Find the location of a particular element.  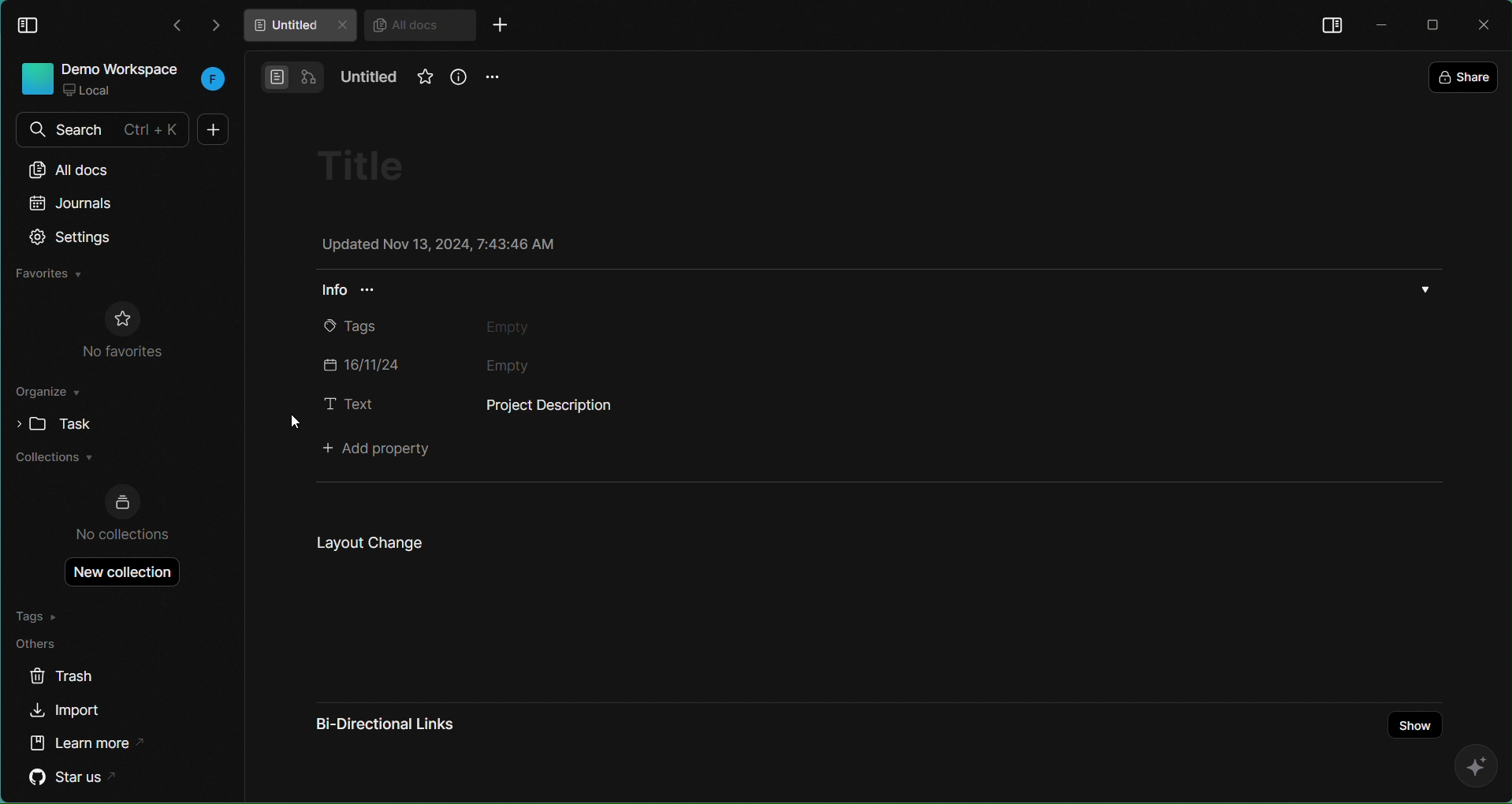

@ All docs is located at coordinates (420, 26).